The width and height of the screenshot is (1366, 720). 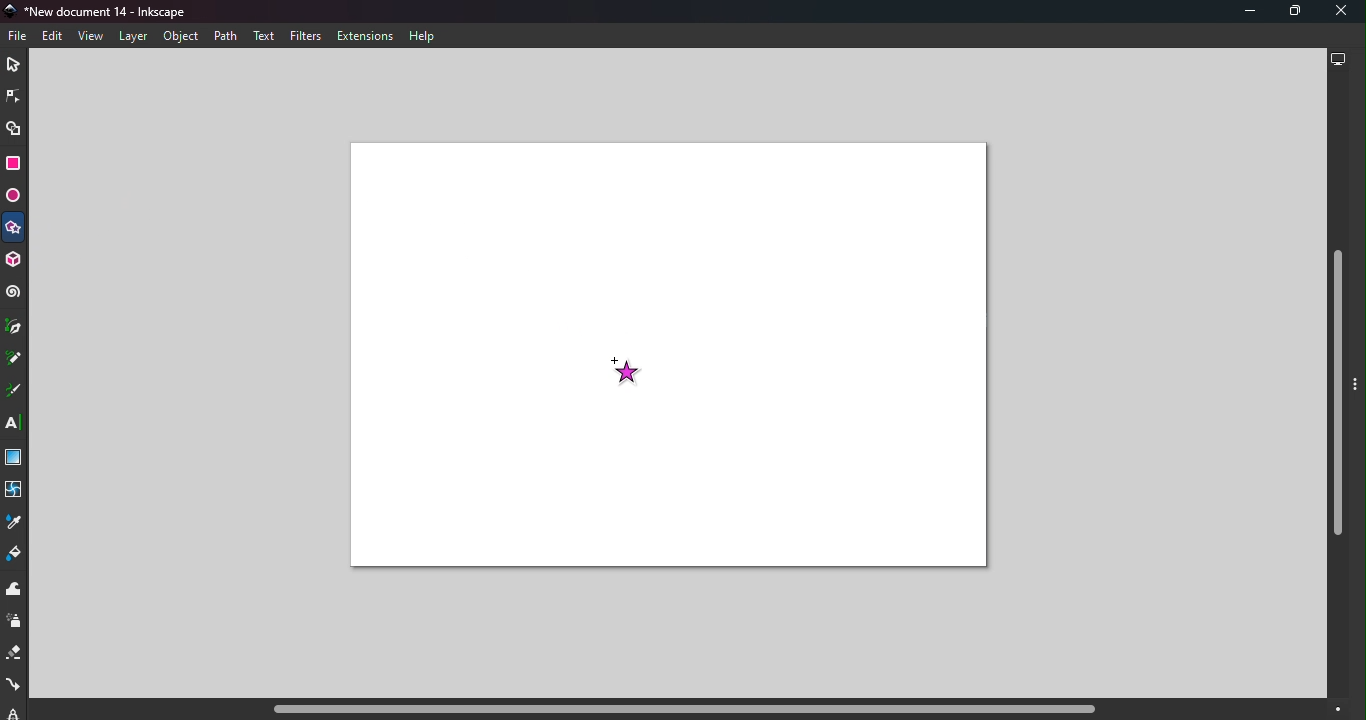 What do you see at coordinates (369, 36) in the screenshot?
I see `Extensions` at bounding box center [369, 36].